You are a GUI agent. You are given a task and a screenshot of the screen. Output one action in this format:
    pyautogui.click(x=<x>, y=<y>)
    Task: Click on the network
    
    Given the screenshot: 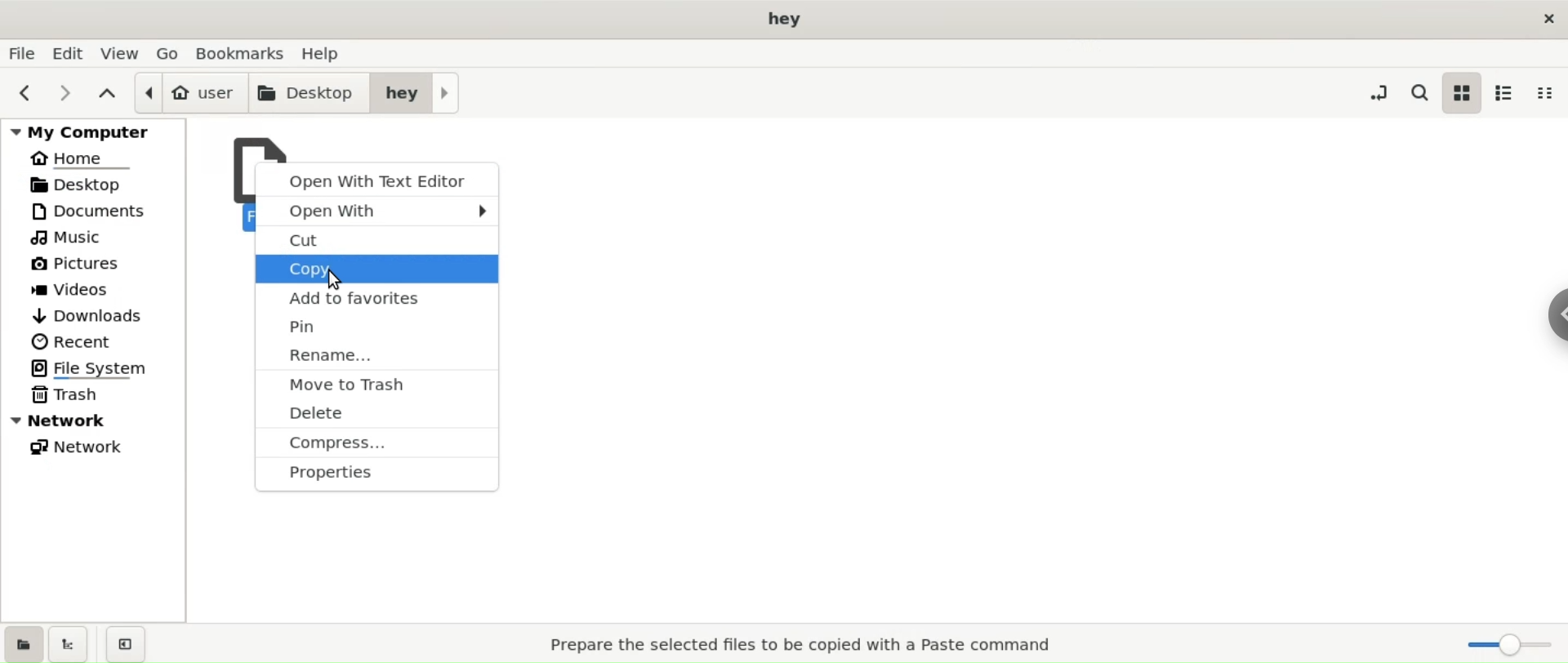 What is the action you would take?
    pyautogui.click(x=95, y=447)
    